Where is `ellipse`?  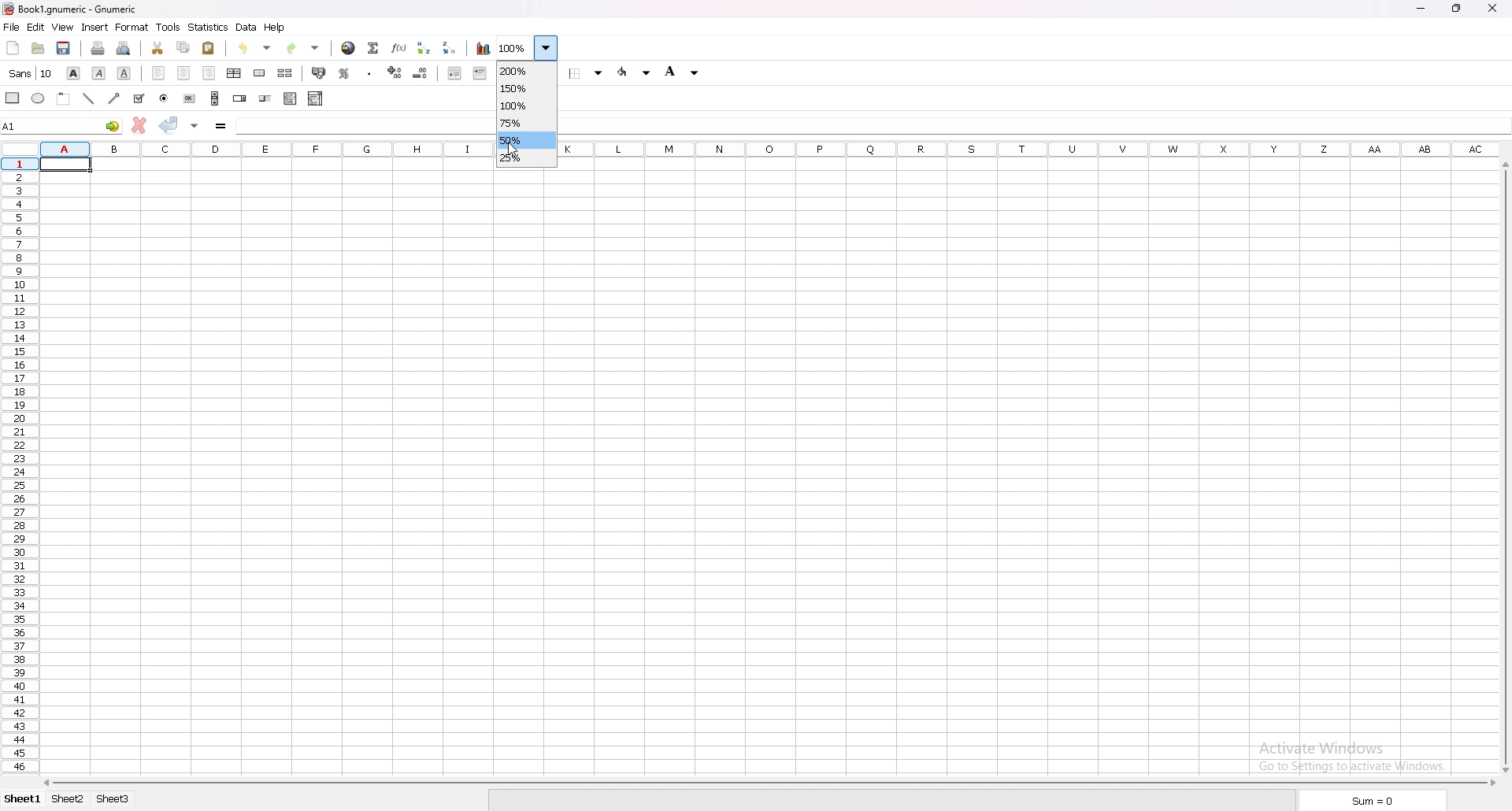
ellipse is located at coordinates (38, 98).